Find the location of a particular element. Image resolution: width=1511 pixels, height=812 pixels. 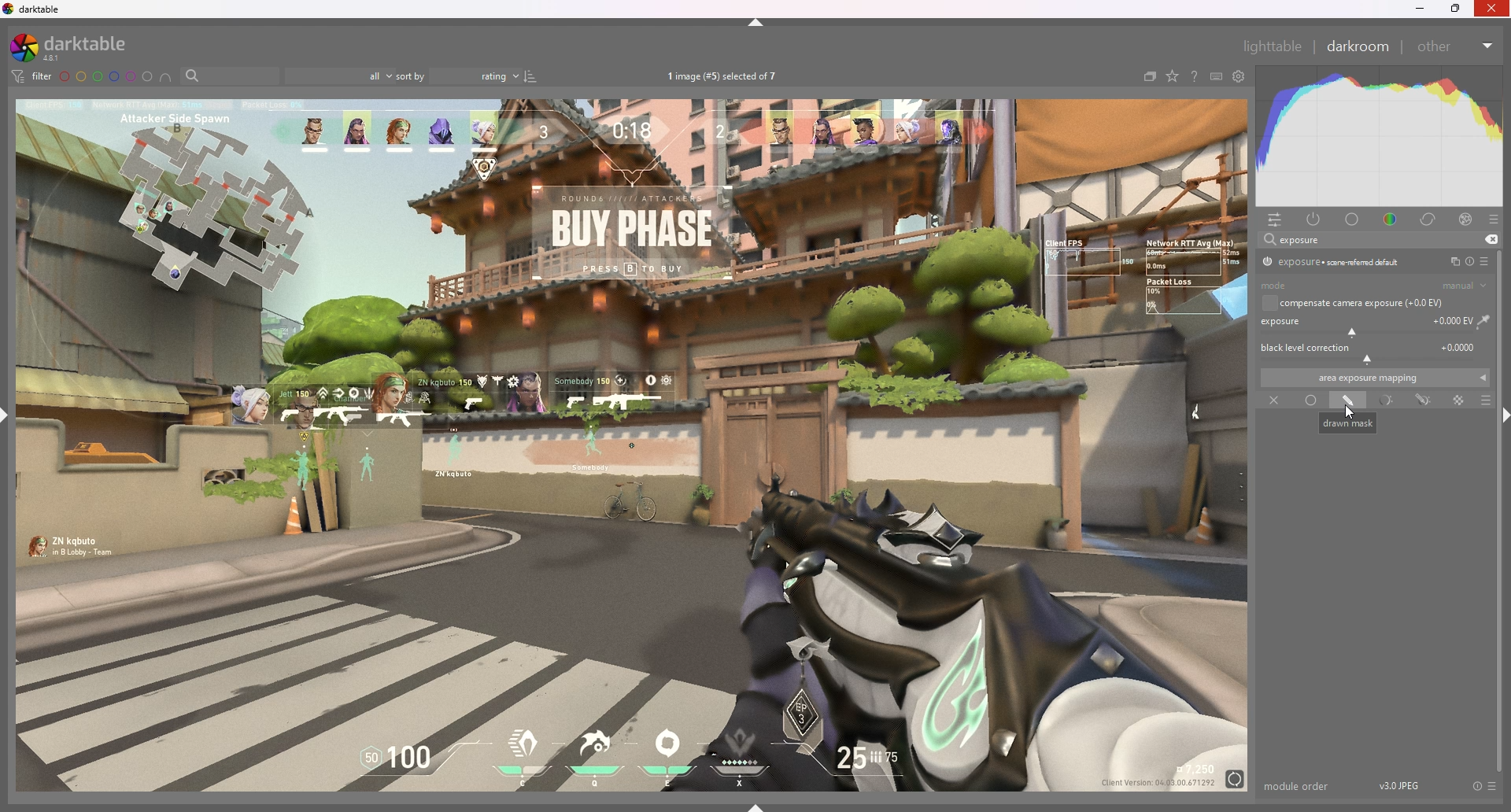

other is located at coordinates (1456, 46).